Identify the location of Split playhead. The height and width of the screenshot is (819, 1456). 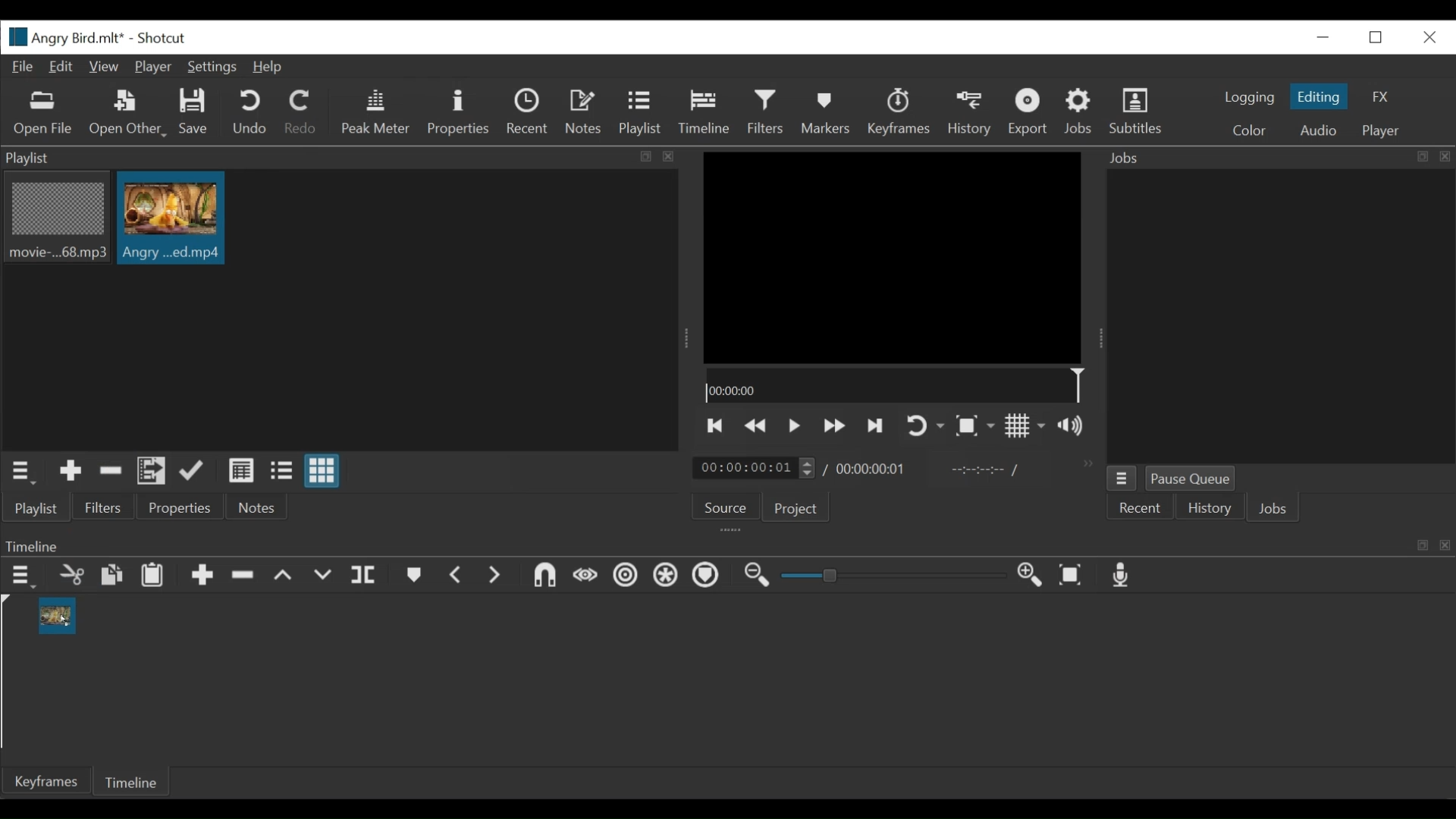
(363, 578).